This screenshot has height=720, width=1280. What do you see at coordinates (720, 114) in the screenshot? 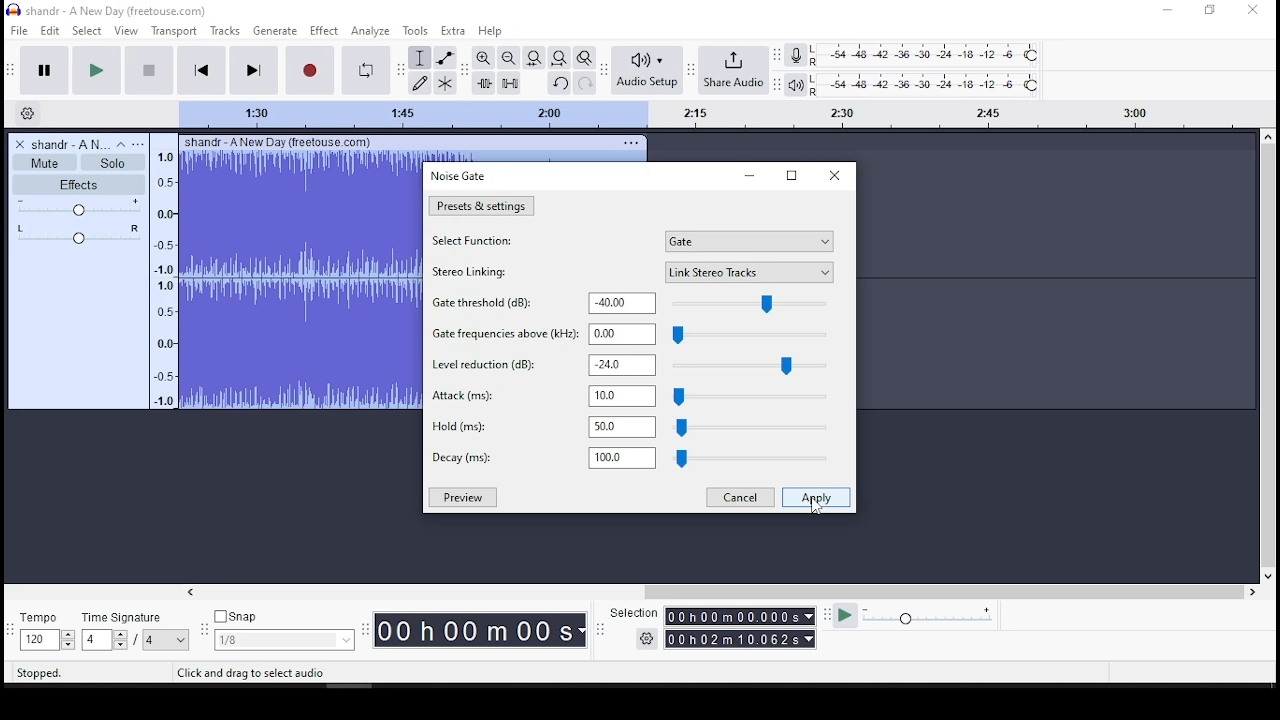
I see `track's timing` at bounding box center [720, 114].